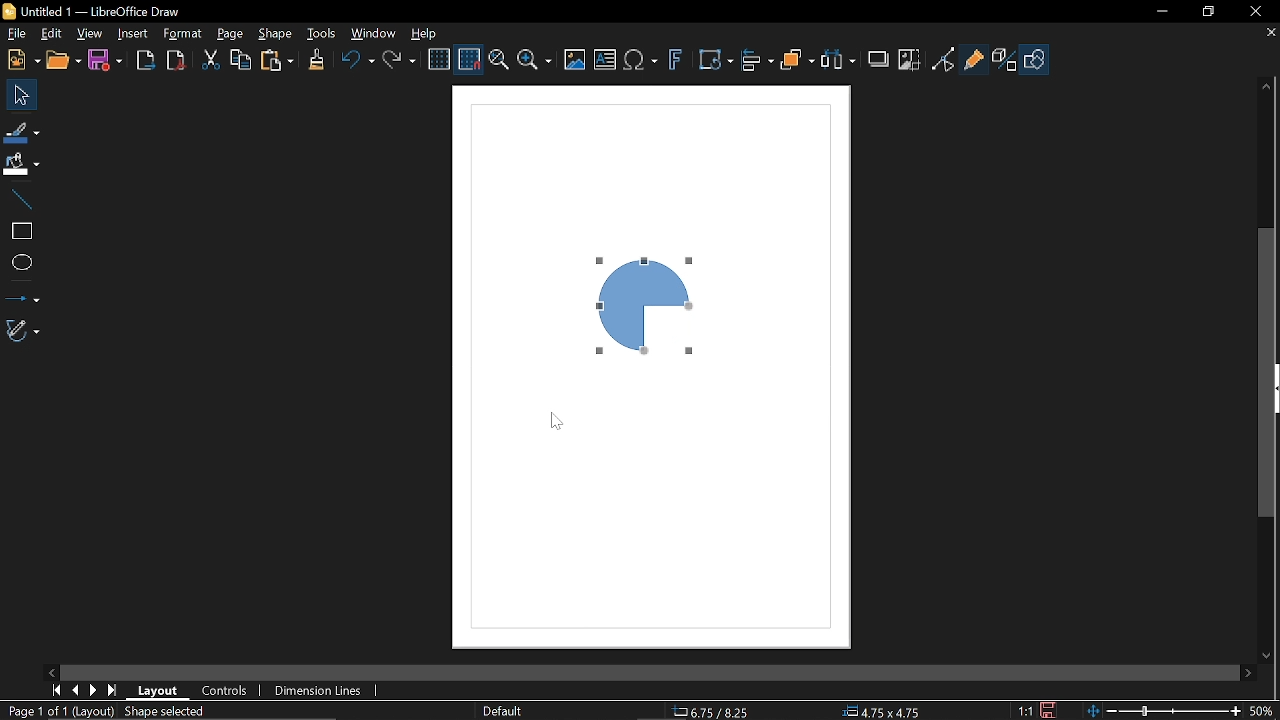 The image size is (1280, 720). Describe the element at coordinates (19, 229) in the screenshot. I see `Rectangle` at that location.